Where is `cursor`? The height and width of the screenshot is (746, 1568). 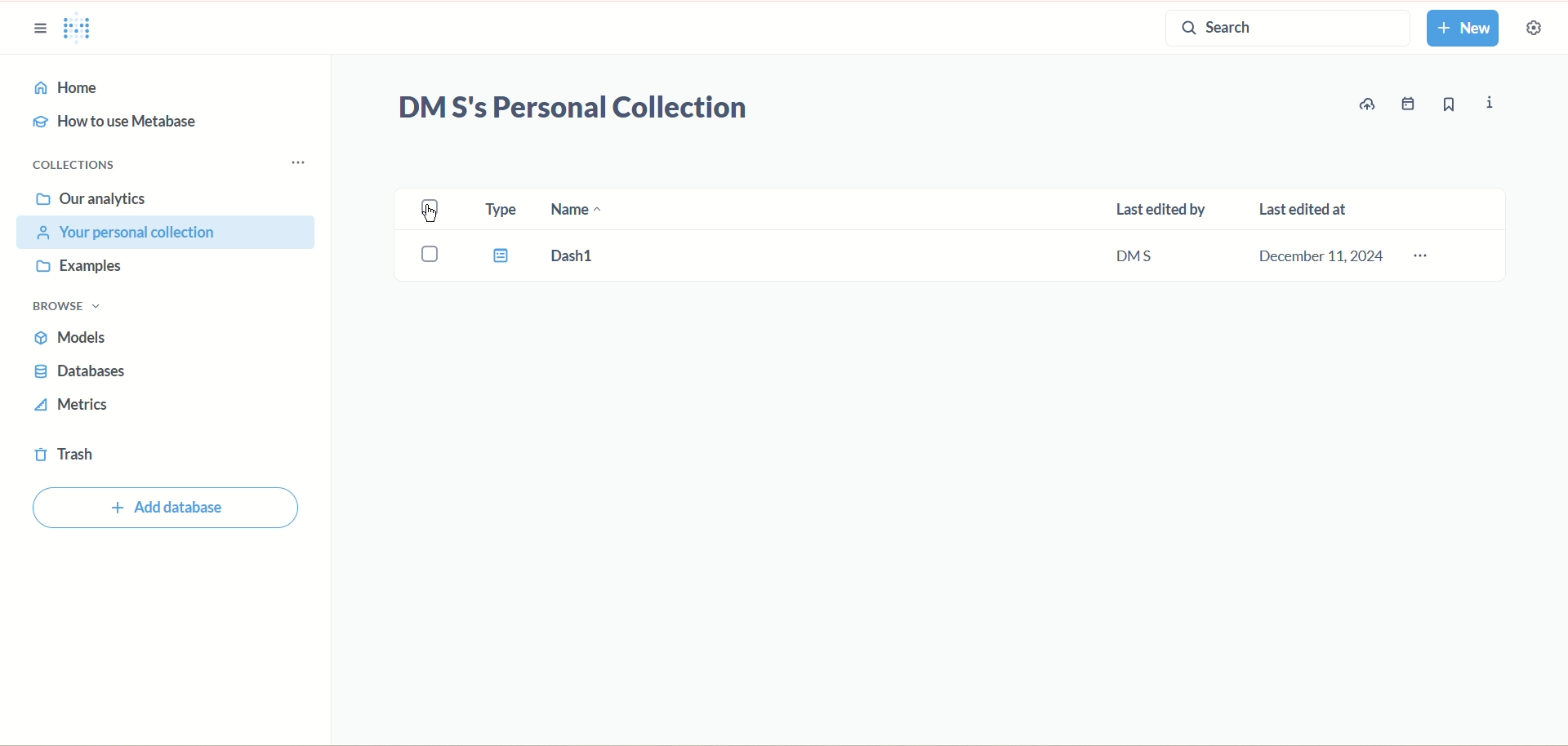
cursor is located at coordinates (434, 212).